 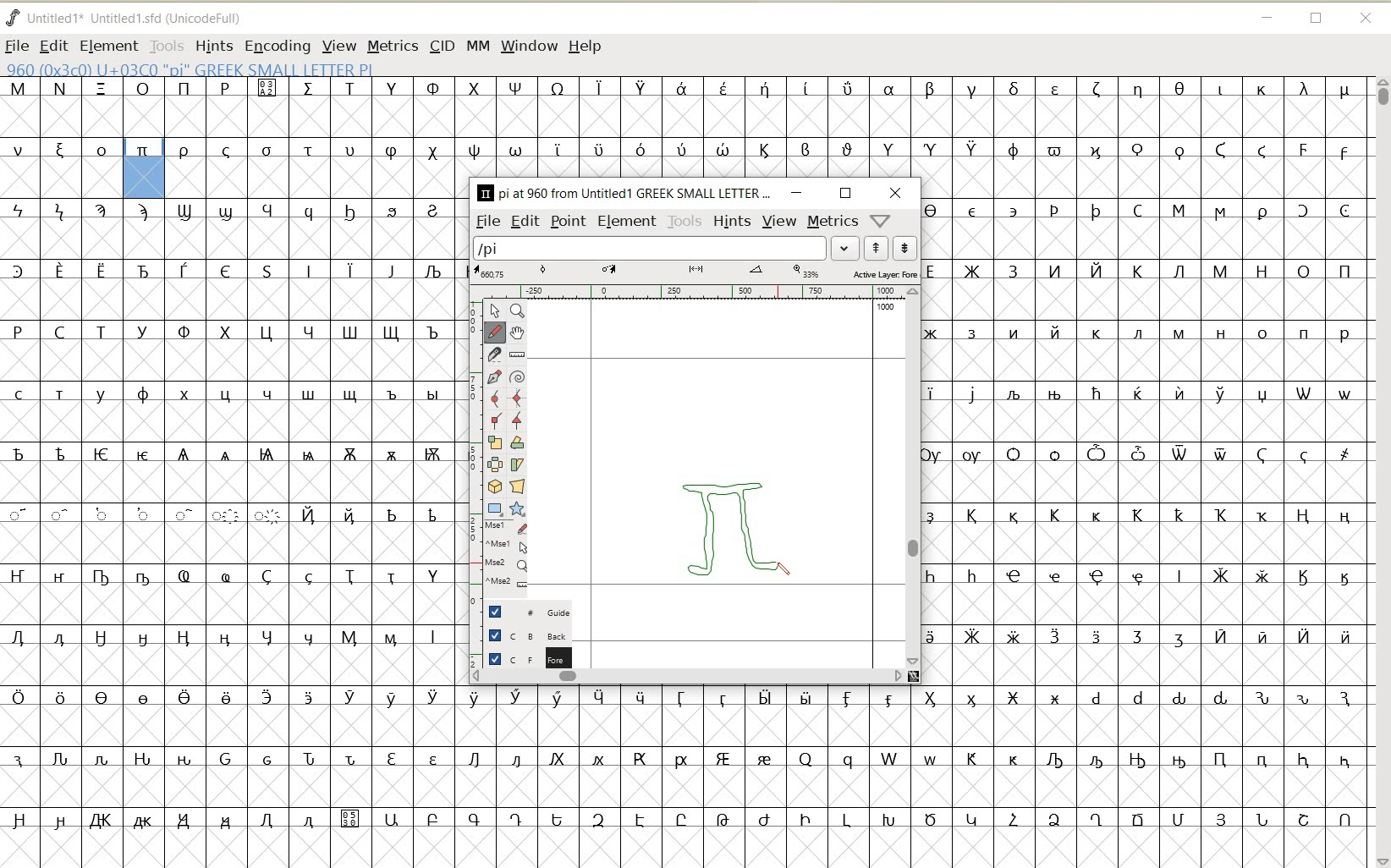 What do you see at coordinates (688, 678) in the screenshot?
I see `SCROLLBAR` at bounding box center [688, 678].